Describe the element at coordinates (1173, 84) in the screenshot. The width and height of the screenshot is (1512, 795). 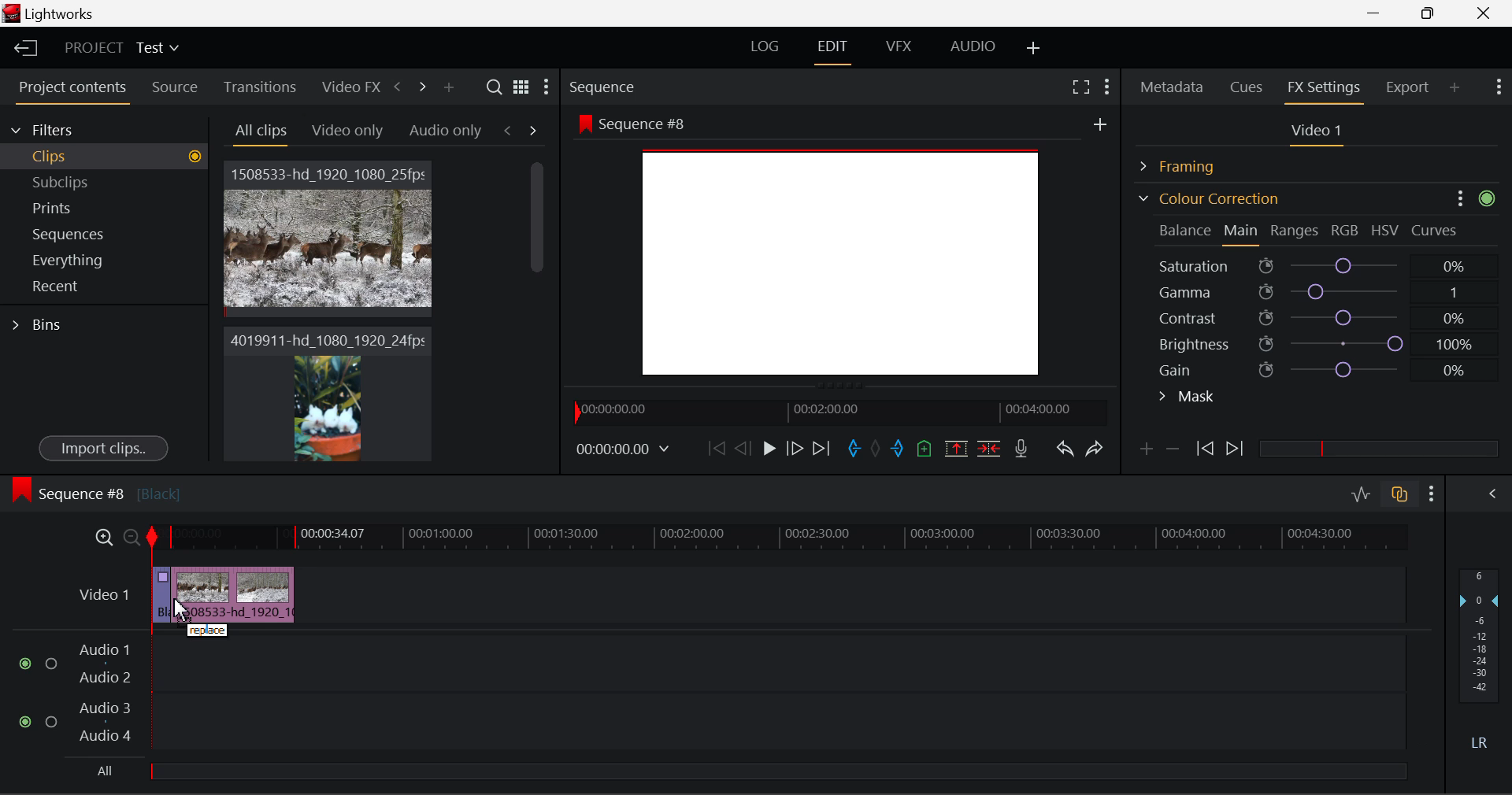
I see `Metadata Panel` at that location.